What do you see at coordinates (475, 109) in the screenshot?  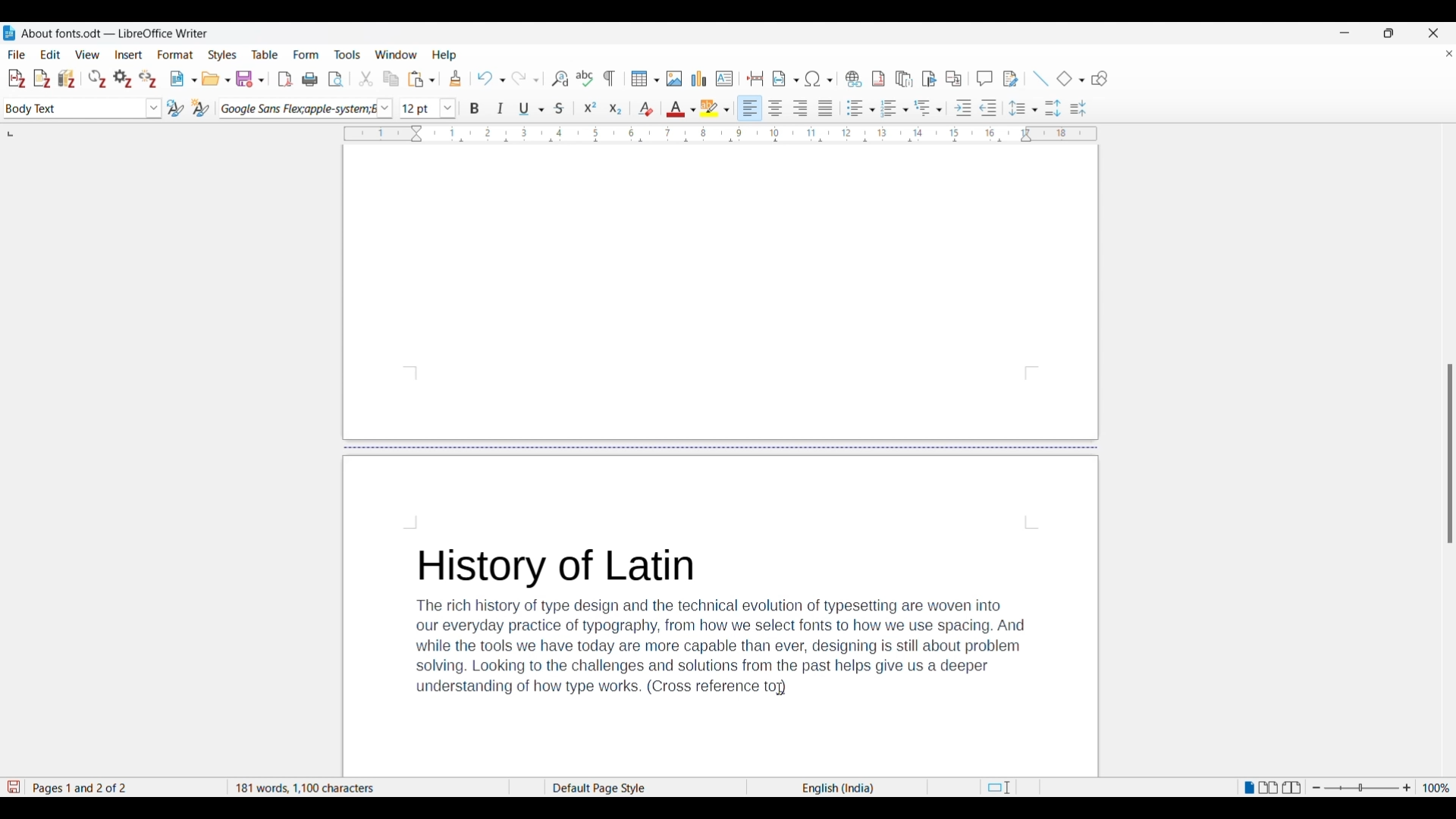 I see `Bold` at bounding box center [475, 109].